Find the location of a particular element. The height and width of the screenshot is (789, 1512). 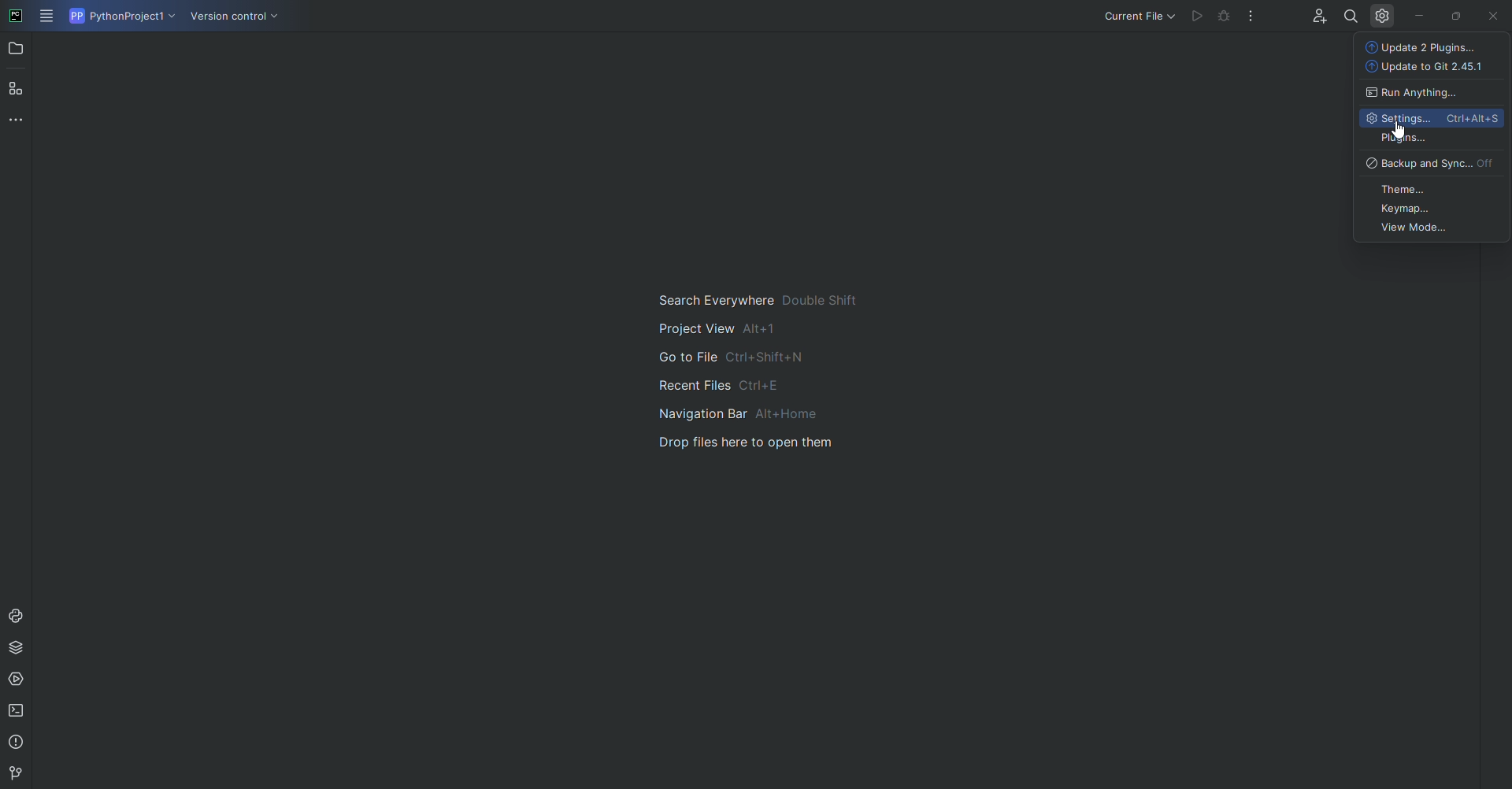

Structure is located at coordinates (17, 87).